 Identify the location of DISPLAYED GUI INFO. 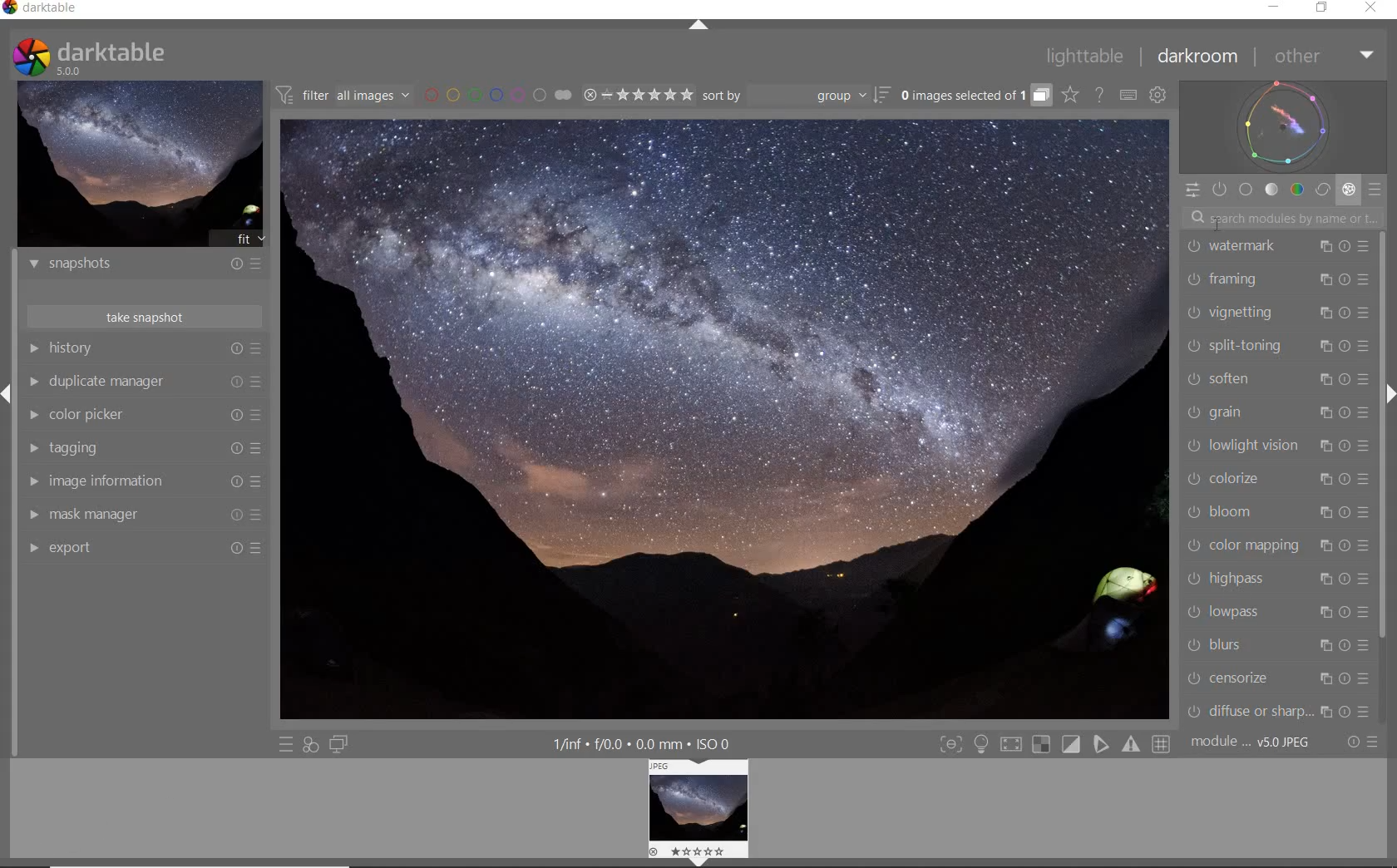
(641, 743).